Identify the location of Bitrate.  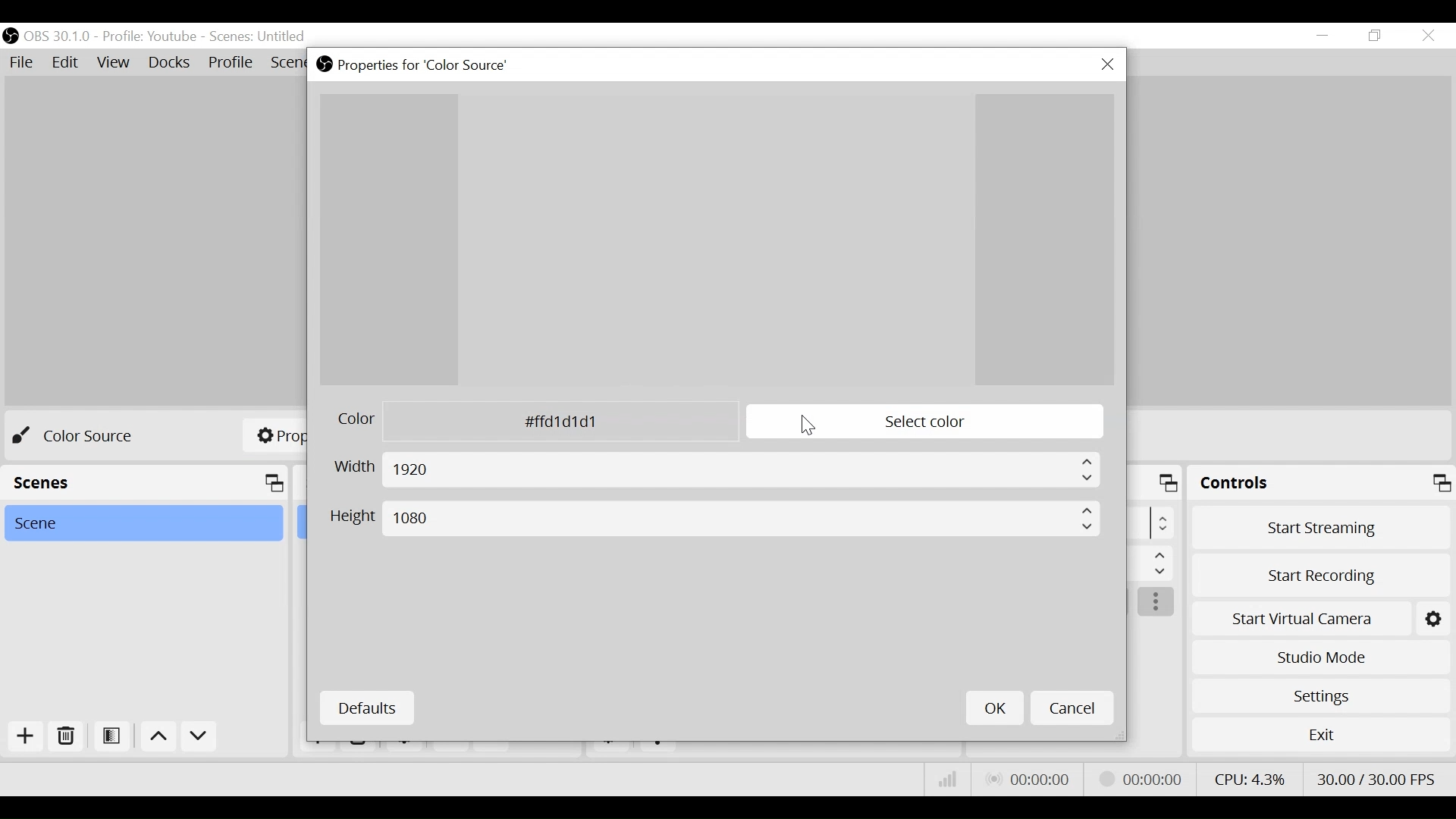
(945, 780).